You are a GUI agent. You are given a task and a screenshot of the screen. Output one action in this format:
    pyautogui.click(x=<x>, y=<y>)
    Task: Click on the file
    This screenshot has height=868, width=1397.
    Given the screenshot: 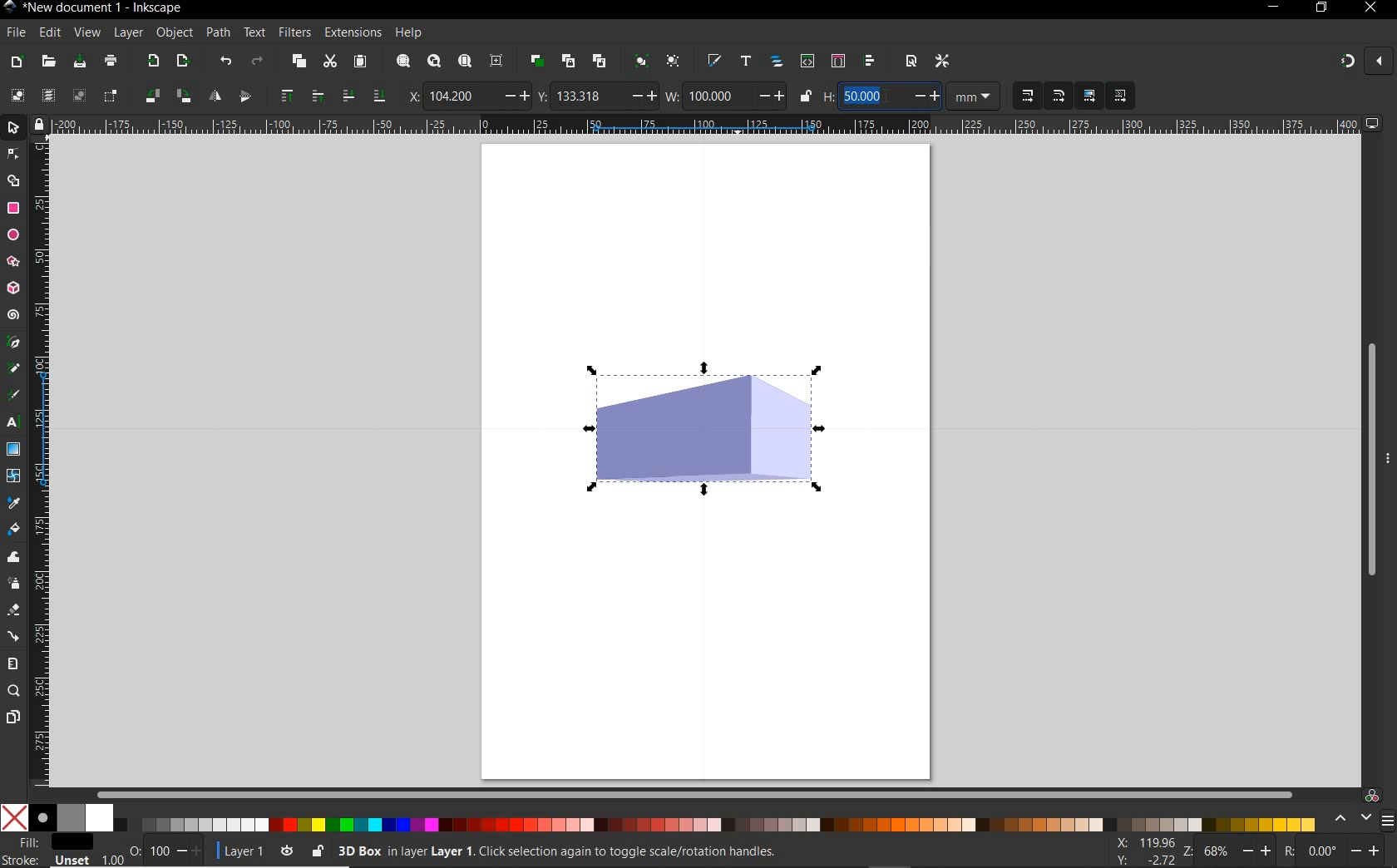 What is the action you would take?
    pyautogui.click(x=16, y=33)
    